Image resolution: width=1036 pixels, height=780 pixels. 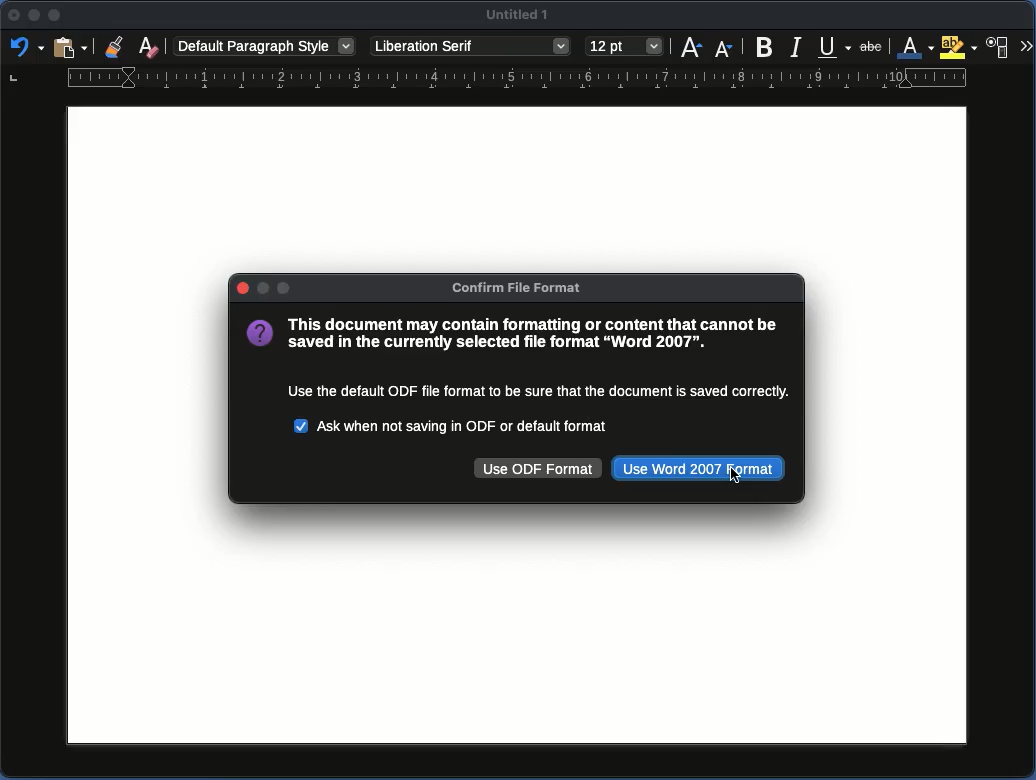 I want to click on Close, so click(x=12, y=19).